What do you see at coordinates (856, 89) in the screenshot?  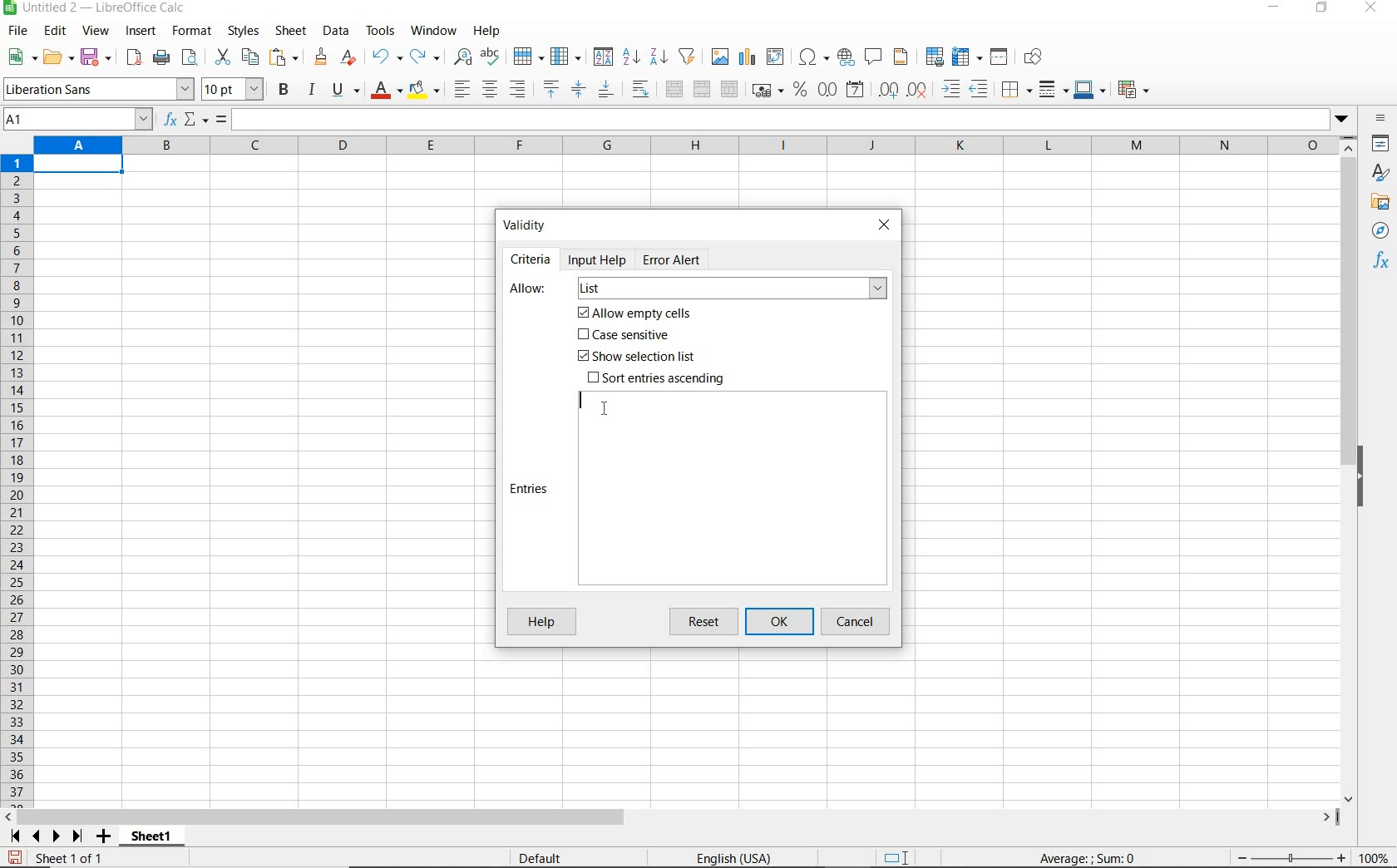 I see `format as date` at bounding box center [856, 89].